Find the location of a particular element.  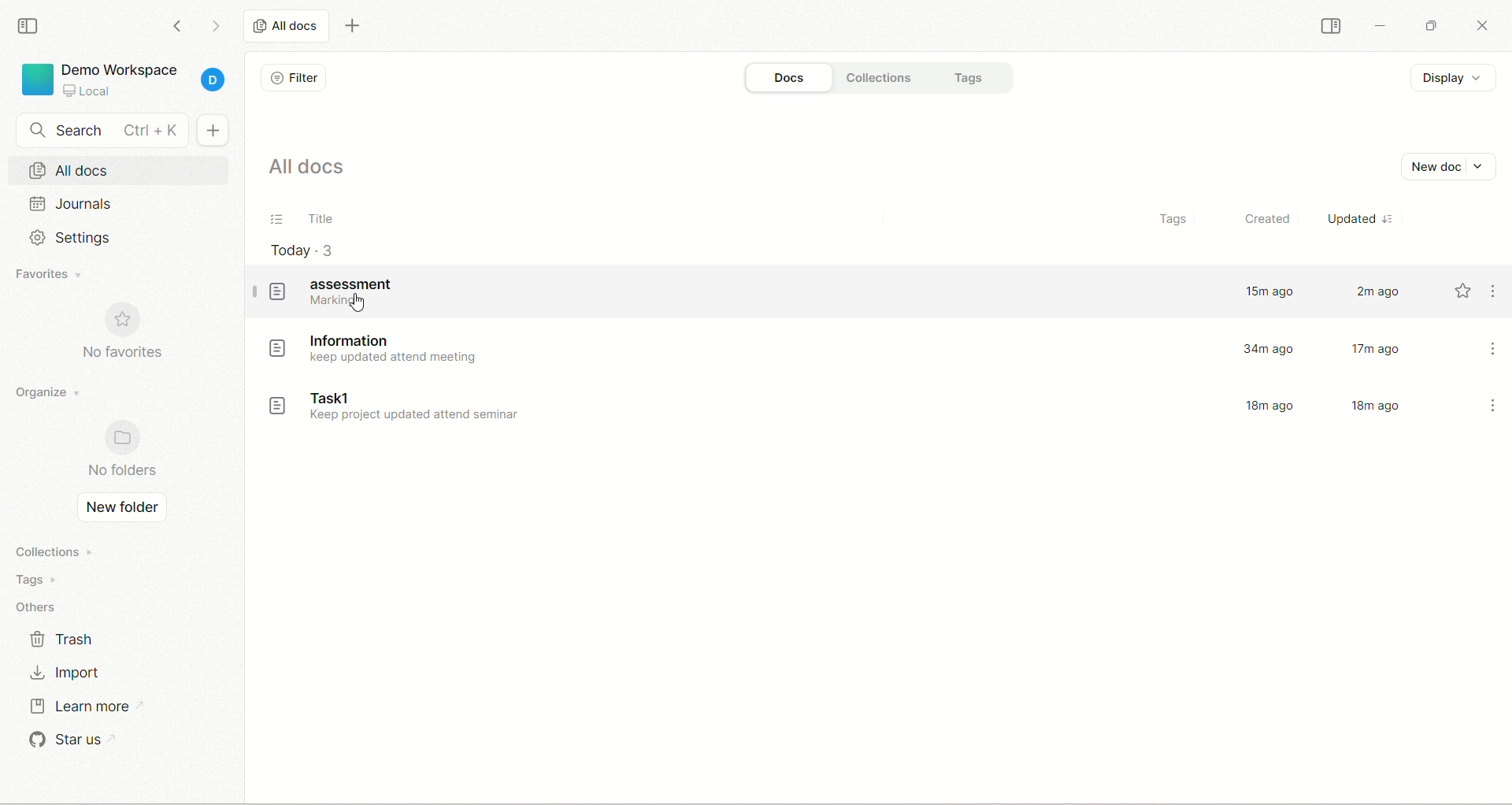

18m ago is located at coordinates (1270, 408).